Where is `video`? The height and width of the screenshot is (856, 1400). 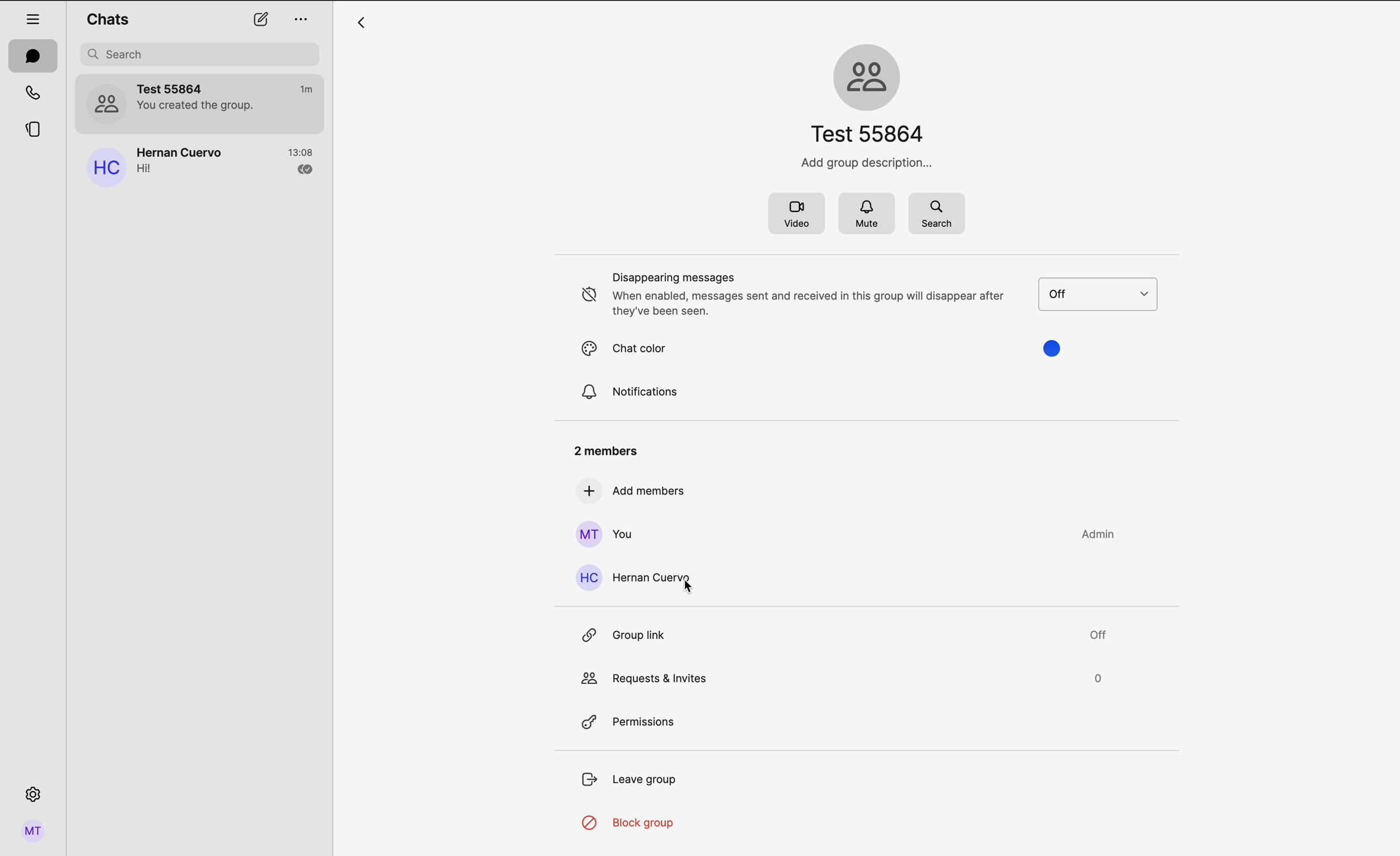
video is located at coordinates (797, 212).